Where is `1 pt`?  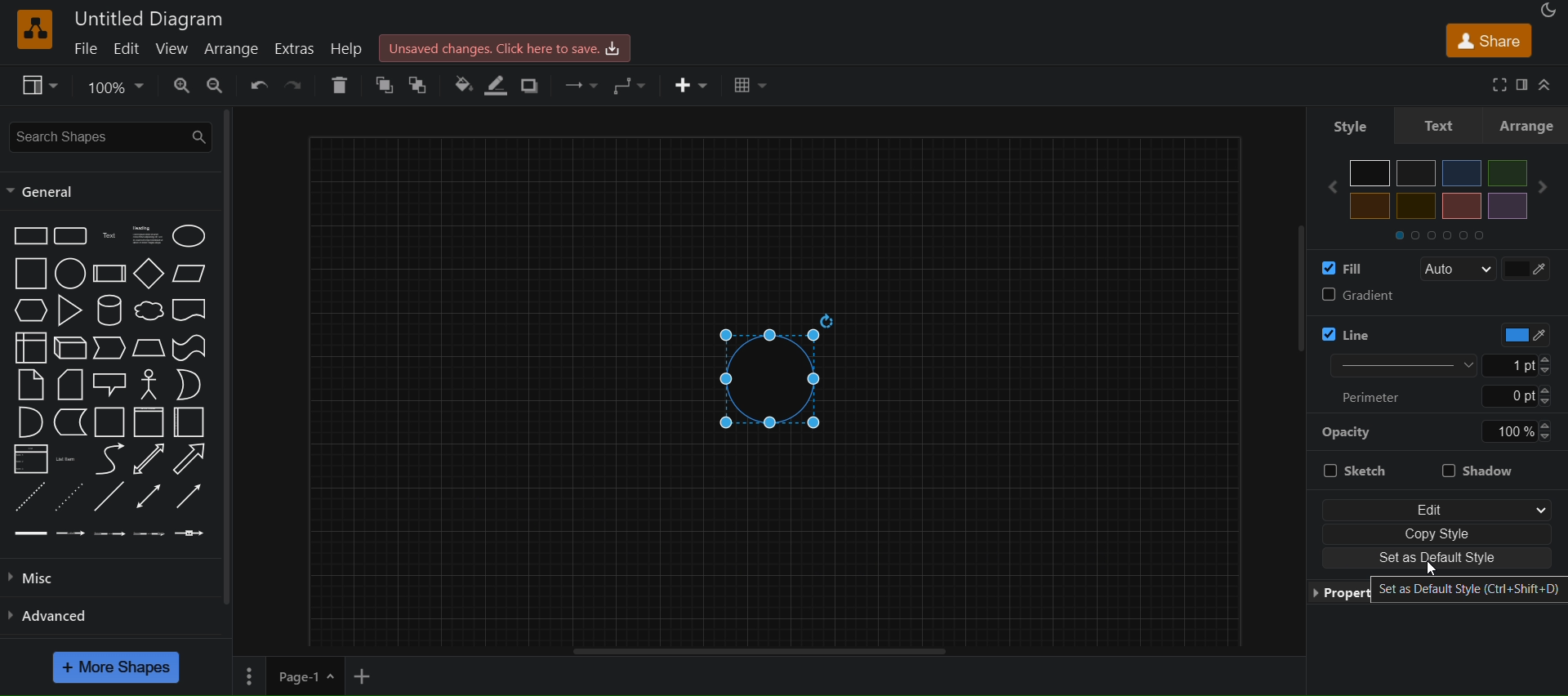
1 pt is located at coordinates (1528, 365).